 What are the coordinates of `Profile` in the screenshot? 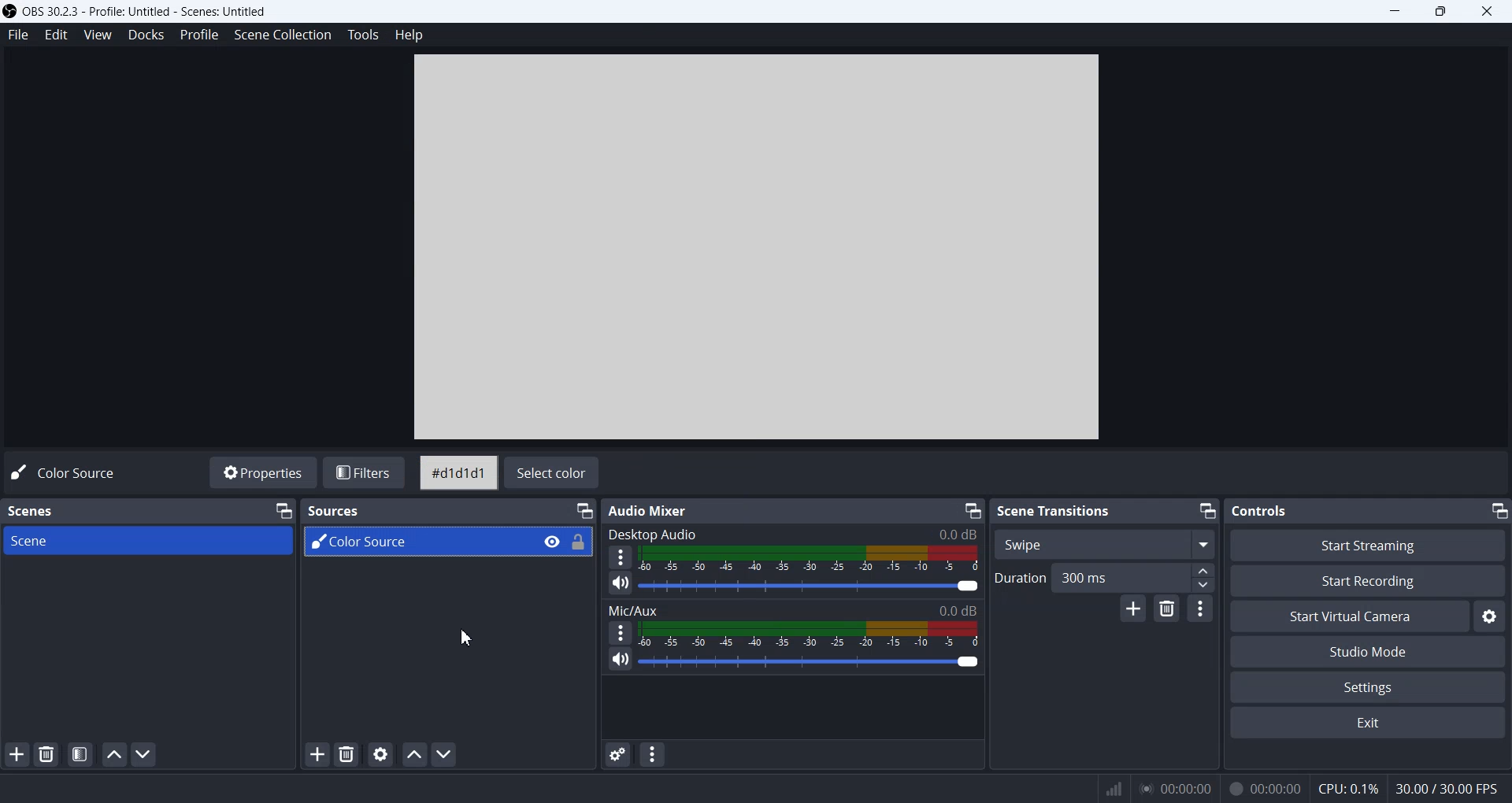 It's located at (198, 34).